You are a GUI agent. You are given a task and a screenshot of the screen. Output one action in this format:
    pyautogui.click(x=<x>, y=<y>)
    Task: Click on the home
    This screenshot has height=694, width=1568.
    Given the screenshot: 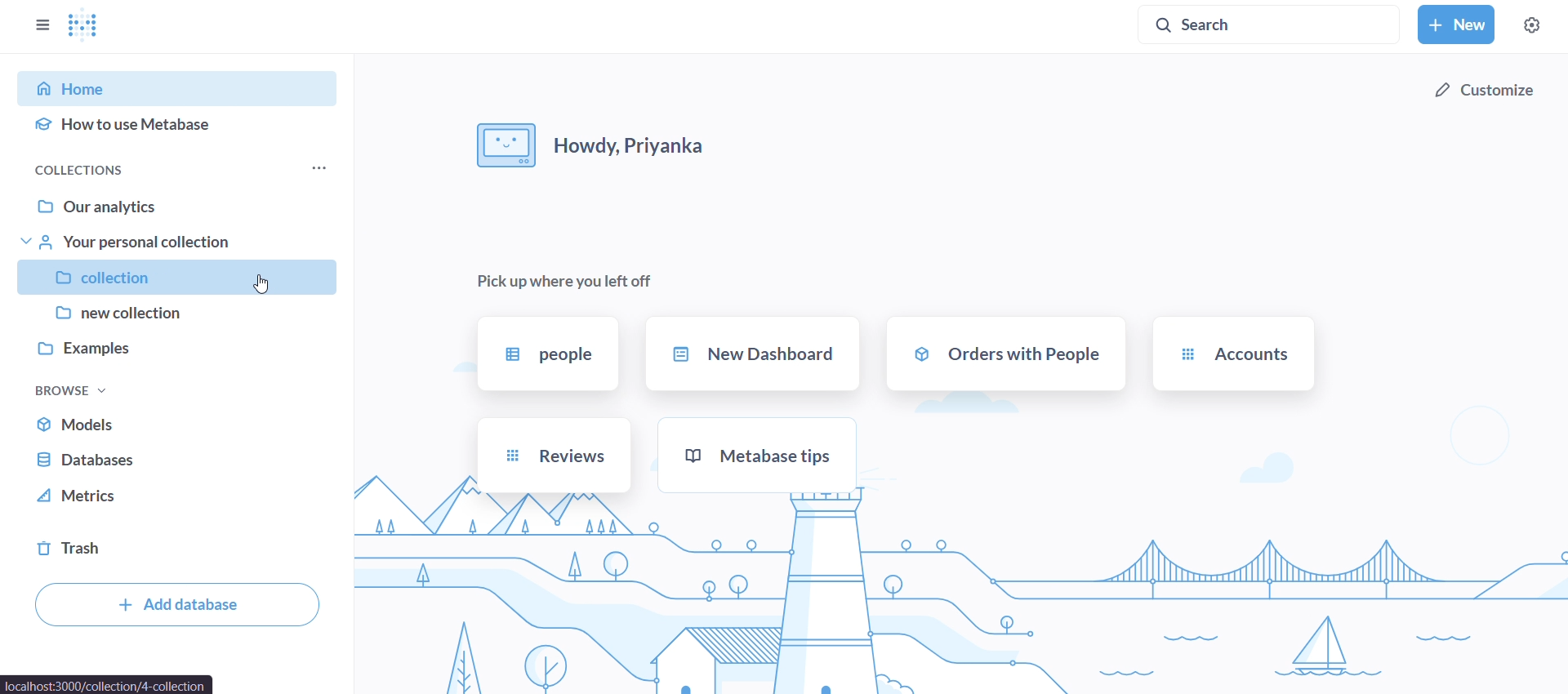 What is the action you would take?
    pyautogui.click(x=186, y=88)
    